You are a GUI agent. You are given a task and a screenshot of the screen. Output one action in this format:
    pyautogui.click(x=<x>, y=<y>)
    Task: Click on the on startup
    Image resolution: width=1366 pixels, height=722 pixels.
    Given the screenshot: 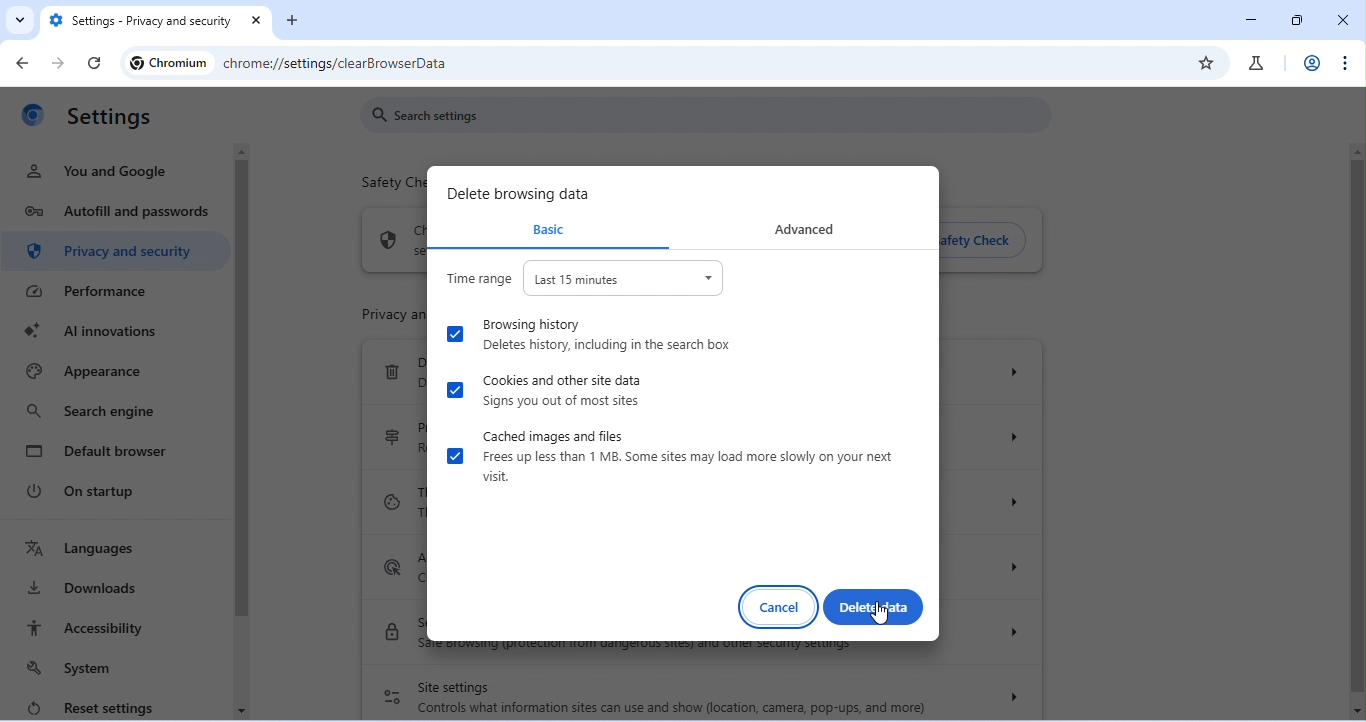 What is the action you would take?
    pyautogui.click(x=92, y=491)
    